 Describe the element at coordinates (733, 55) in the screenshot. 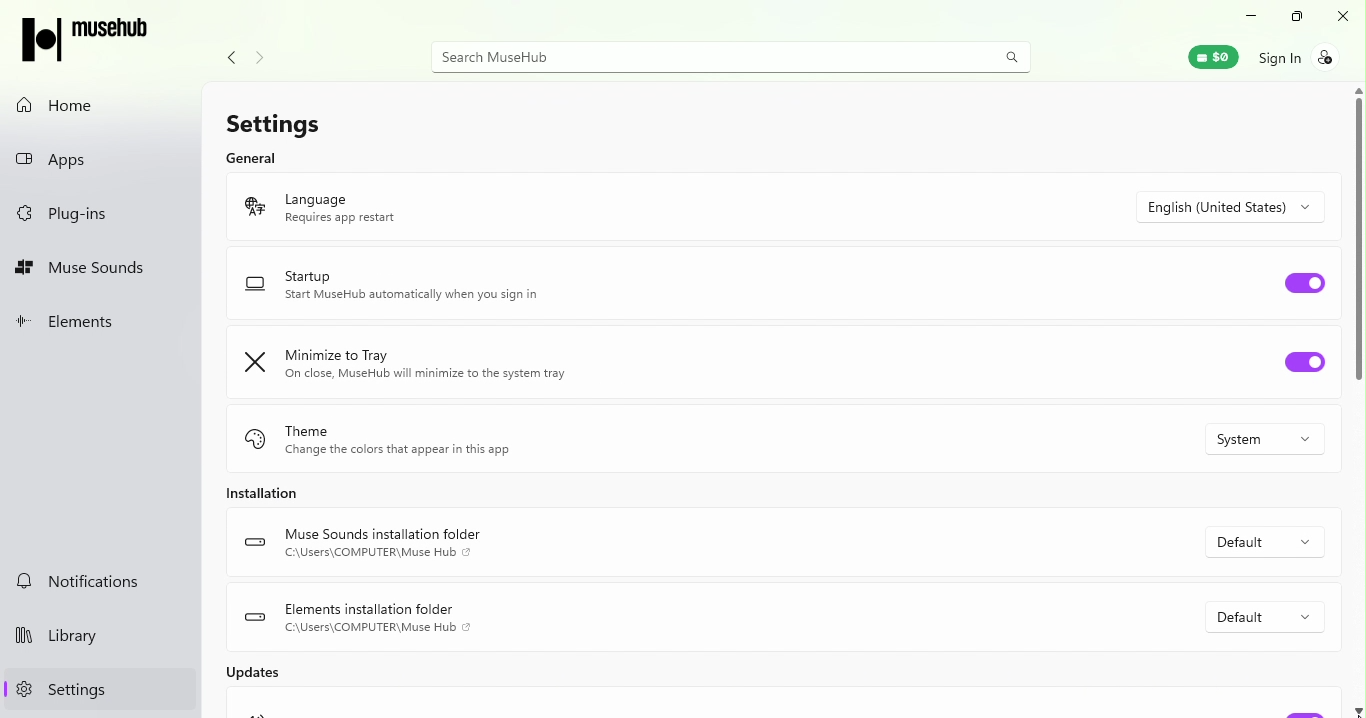

I see `Search bar` at that location.